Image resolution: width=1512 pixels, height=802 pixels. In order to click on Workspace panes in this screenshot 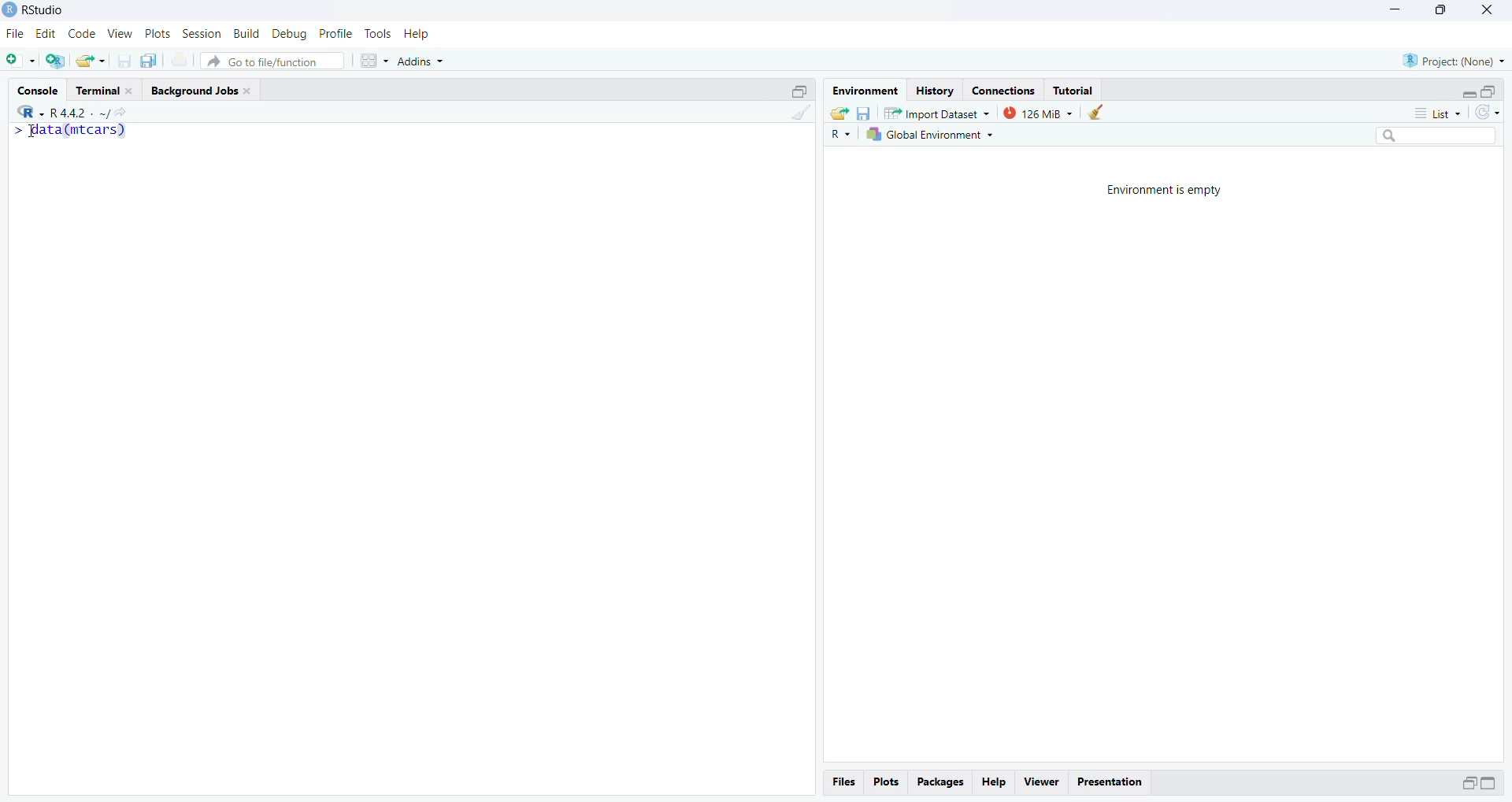, I will do `click(374, 61)`.